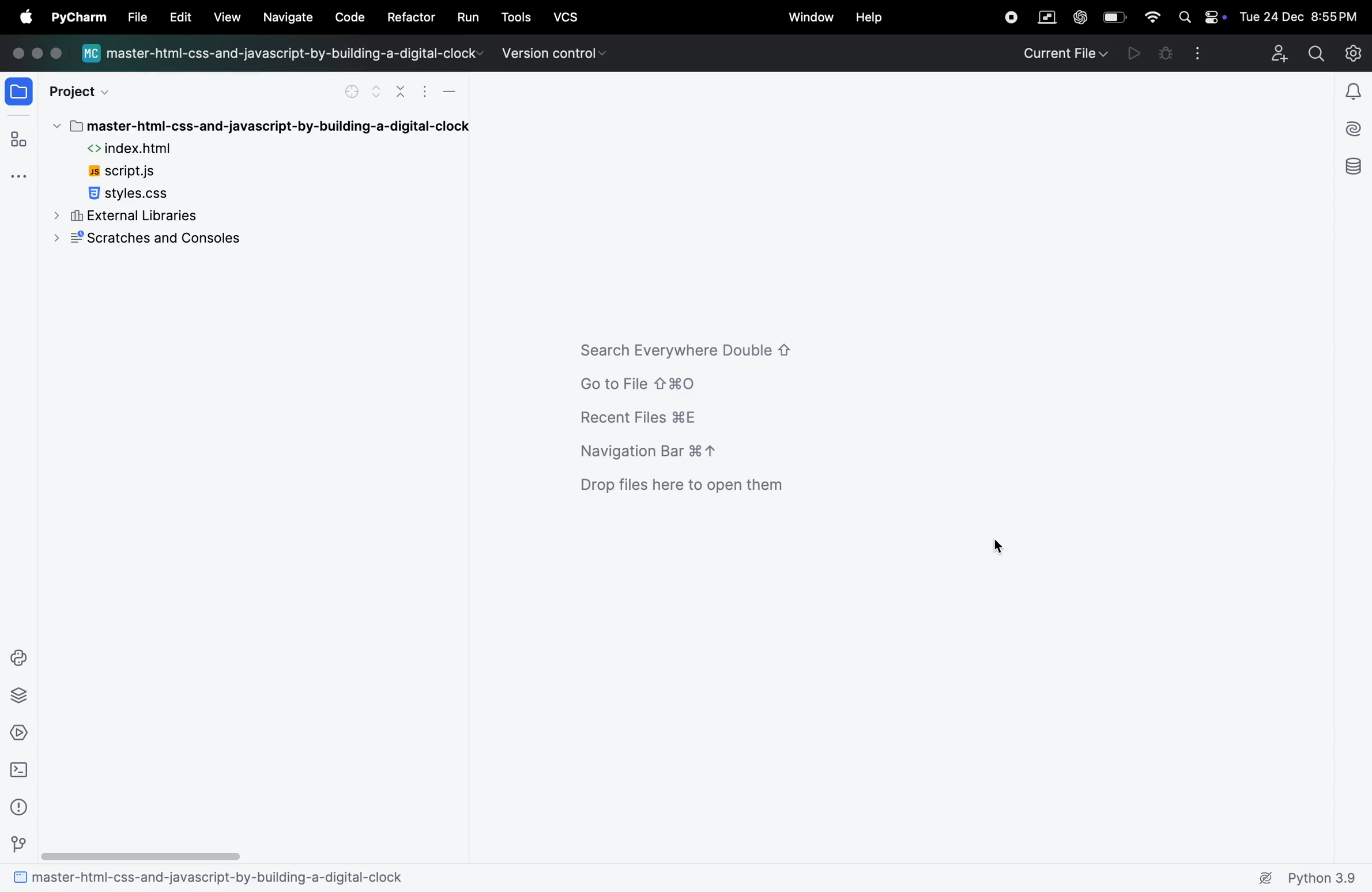 The height and width of the screenshot is (892, 1372). Describe the element at coordinates (1355, 127) in the screenshot. I see `ai aisstant` at that location.